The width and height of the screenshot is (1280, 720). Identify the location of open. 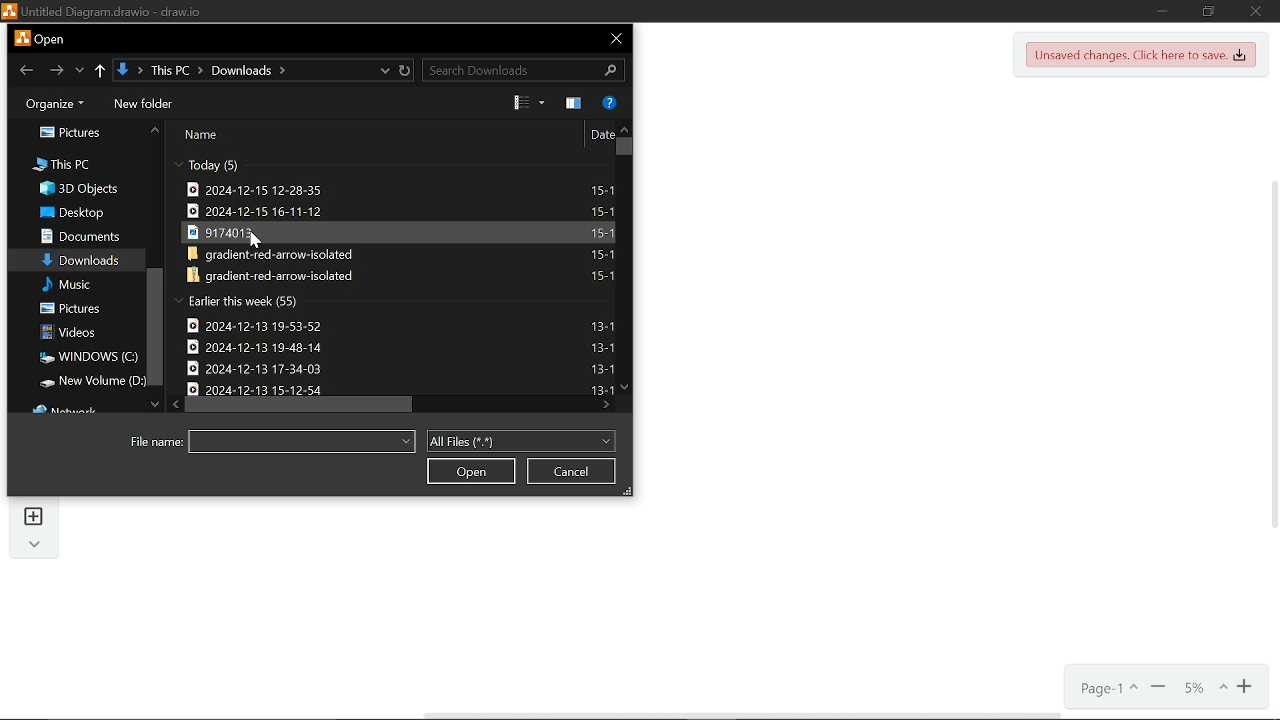
(50, 40).